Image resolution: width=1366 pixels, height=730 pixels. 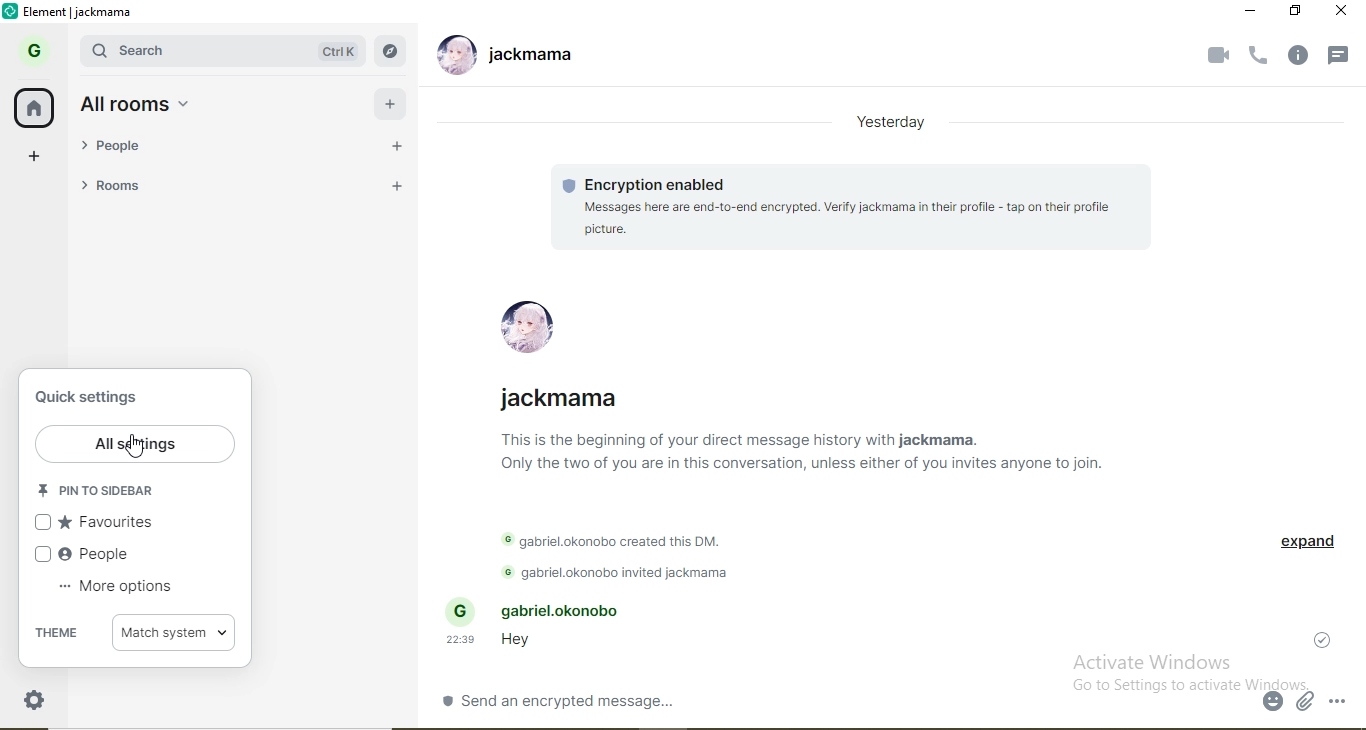 I want to click on people, so click(x=103, y=557).